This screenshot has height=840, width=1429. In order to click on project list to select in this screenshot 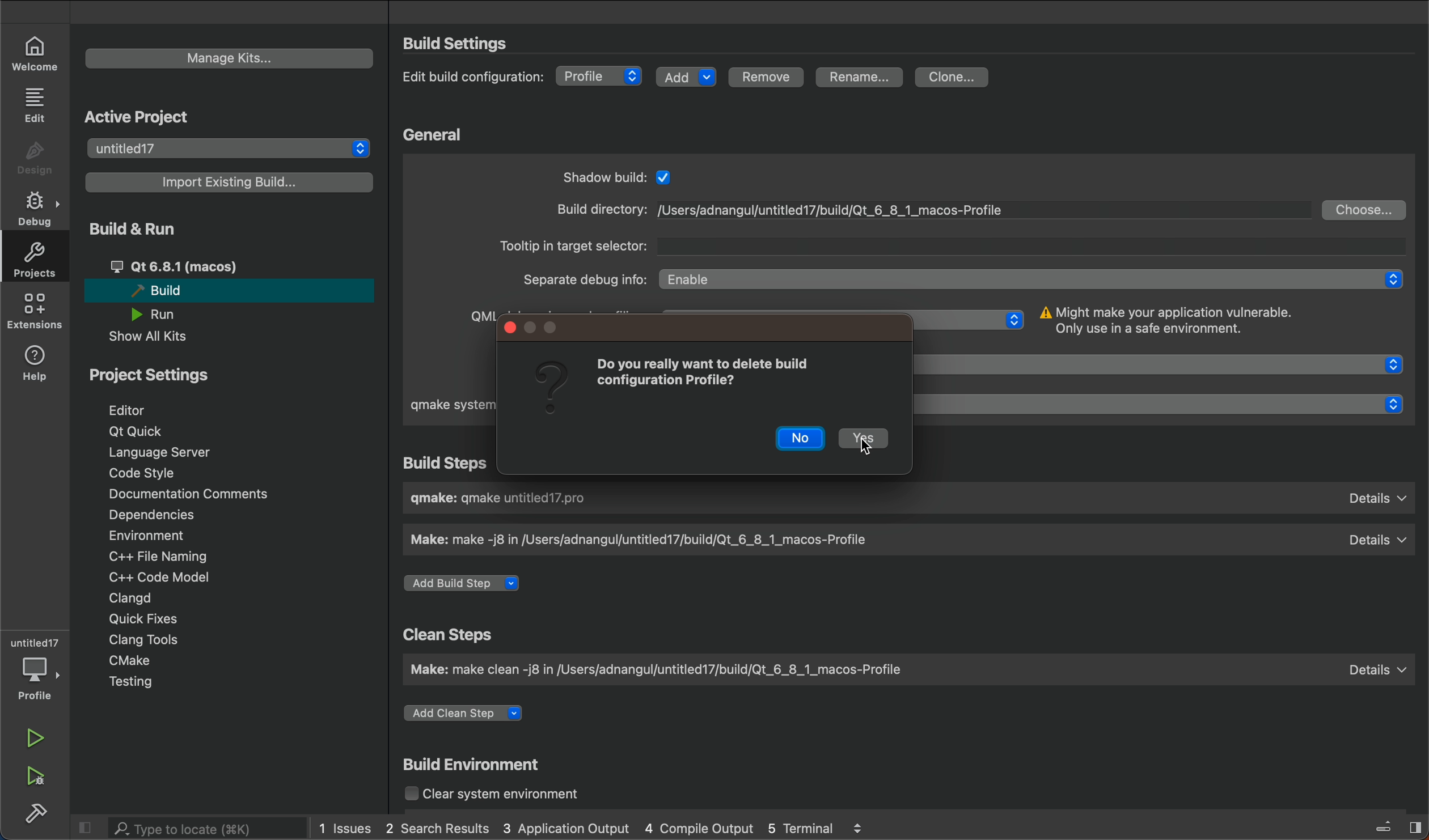, I will do `click(232, 149)`.